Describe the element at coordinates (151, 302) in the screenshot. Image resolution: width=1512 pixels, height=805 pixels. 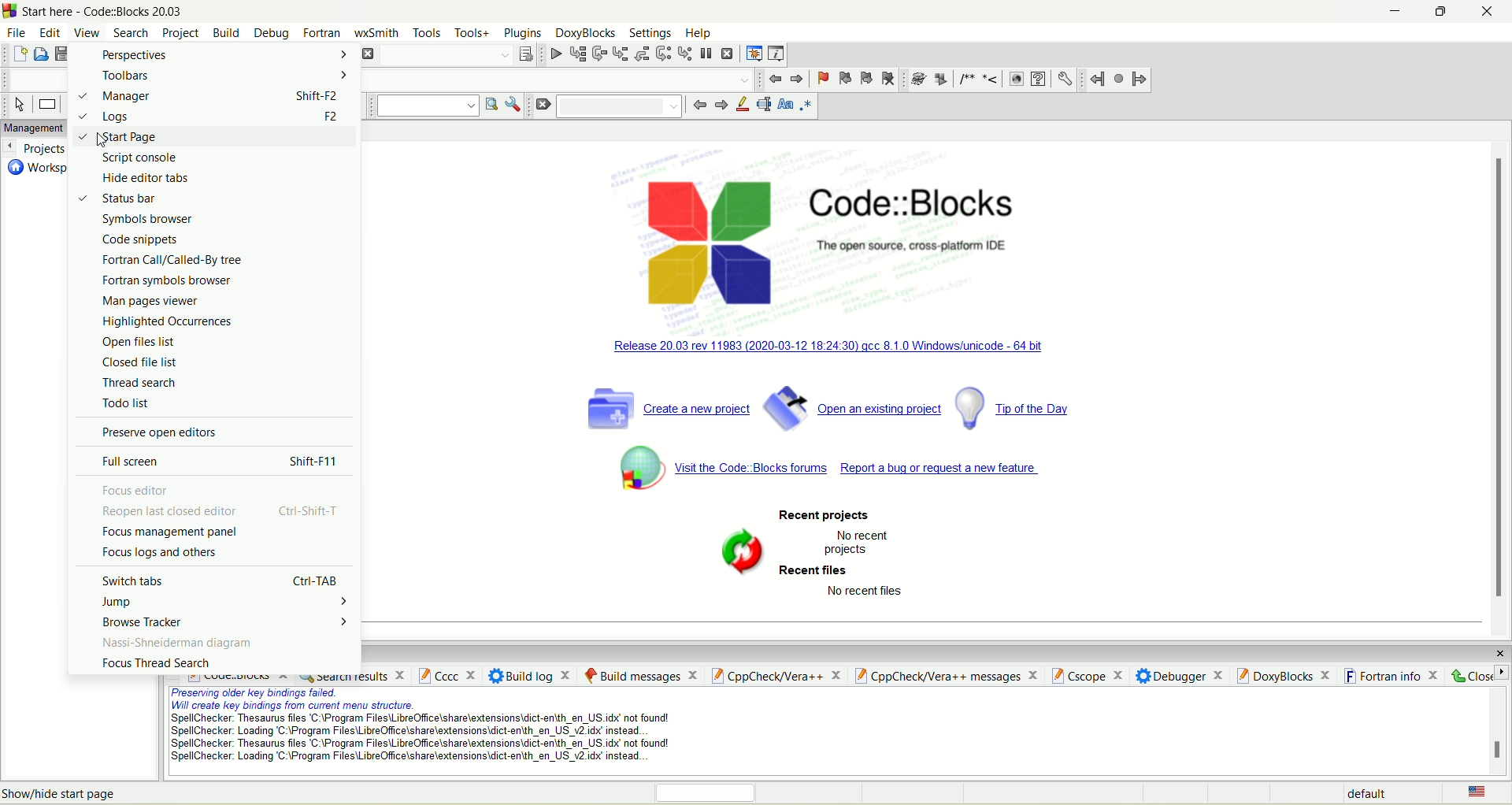
I see `man pages viewer` at that location.